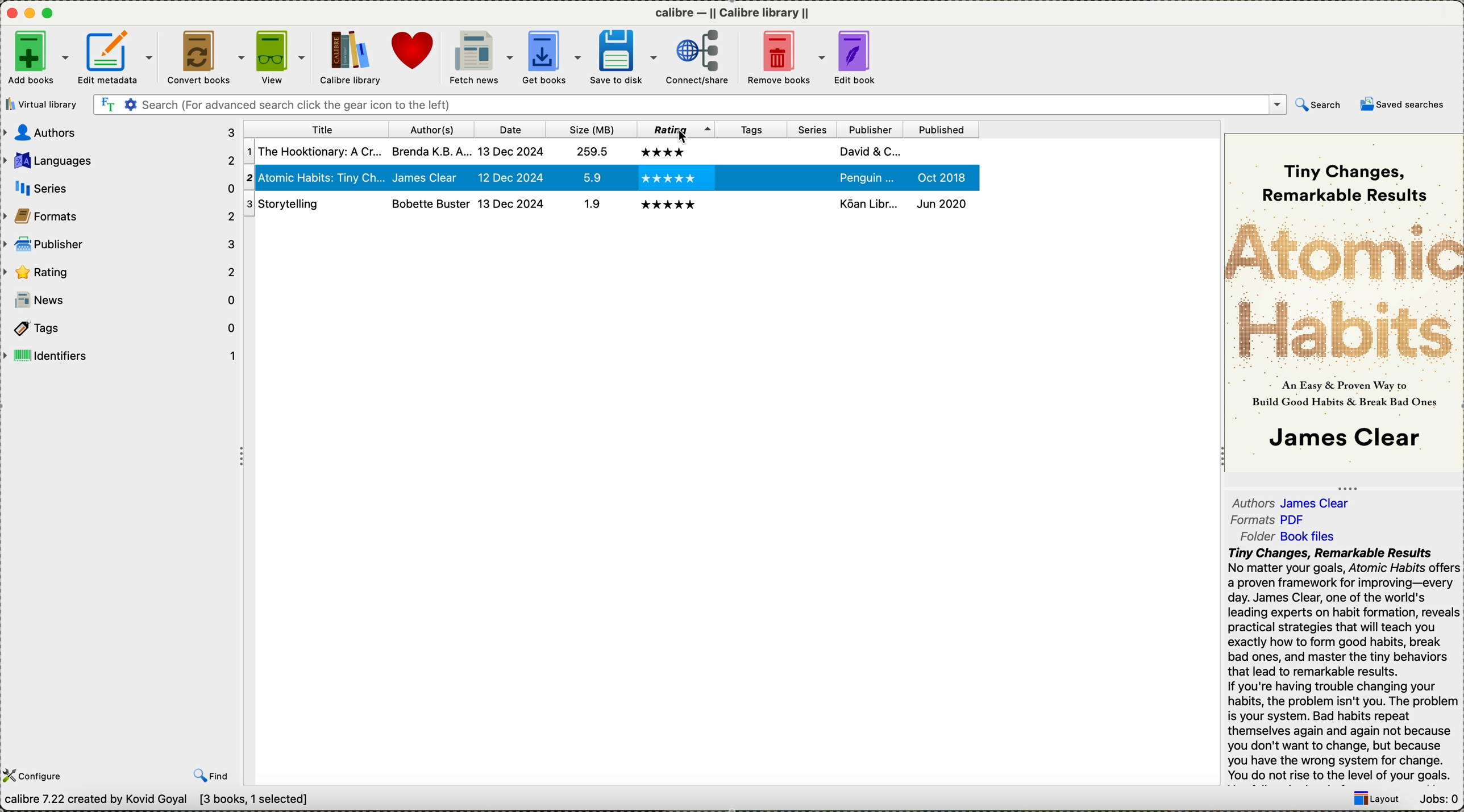  What do you see at coordinates (510, 203) in the screenshot?
I see `13 dec 2024` at bounding box center [510, 203].